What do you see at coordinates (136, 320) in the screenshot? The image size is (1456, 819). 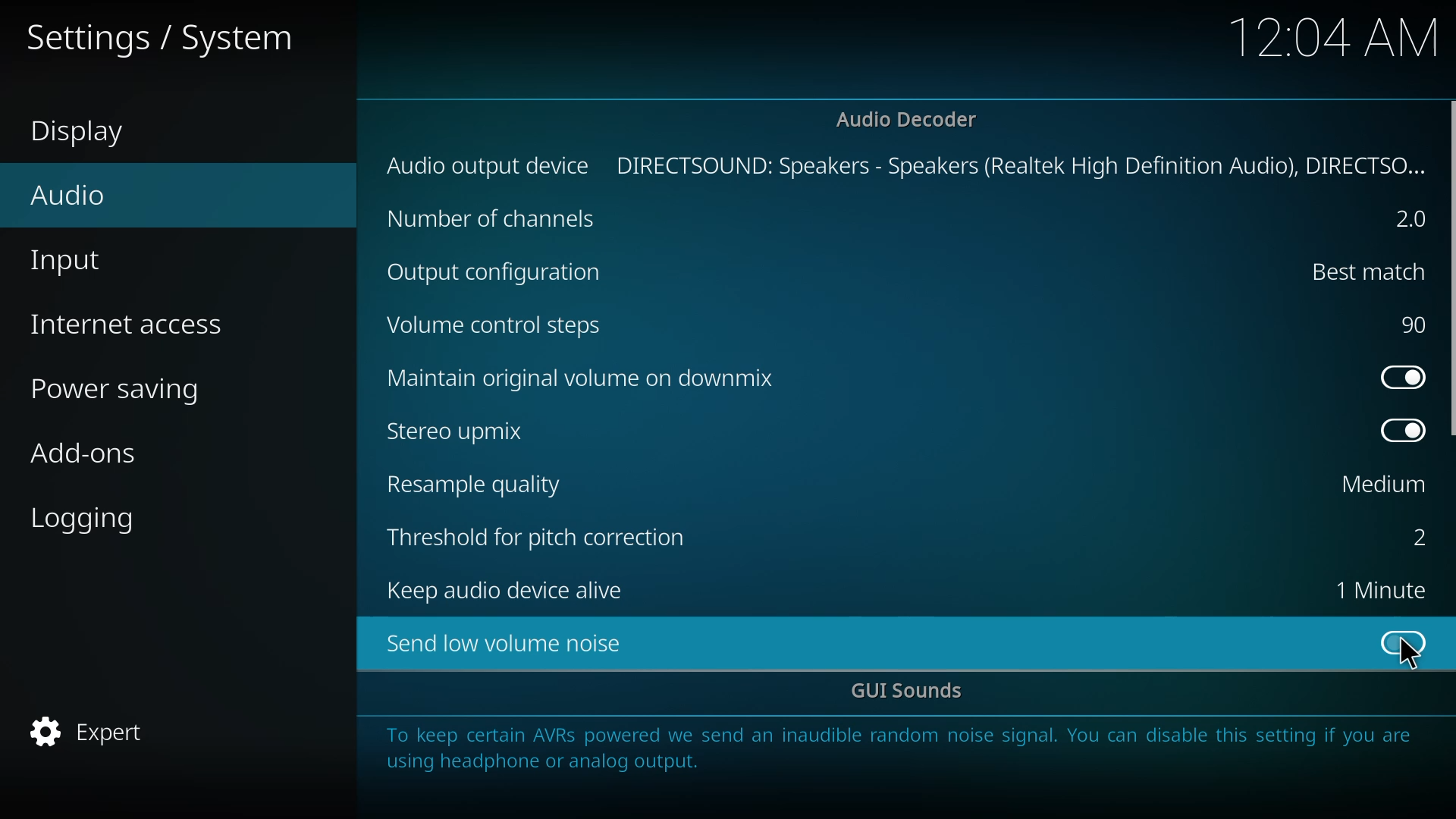 I see `internet access ` at bounding box center [136, 320].